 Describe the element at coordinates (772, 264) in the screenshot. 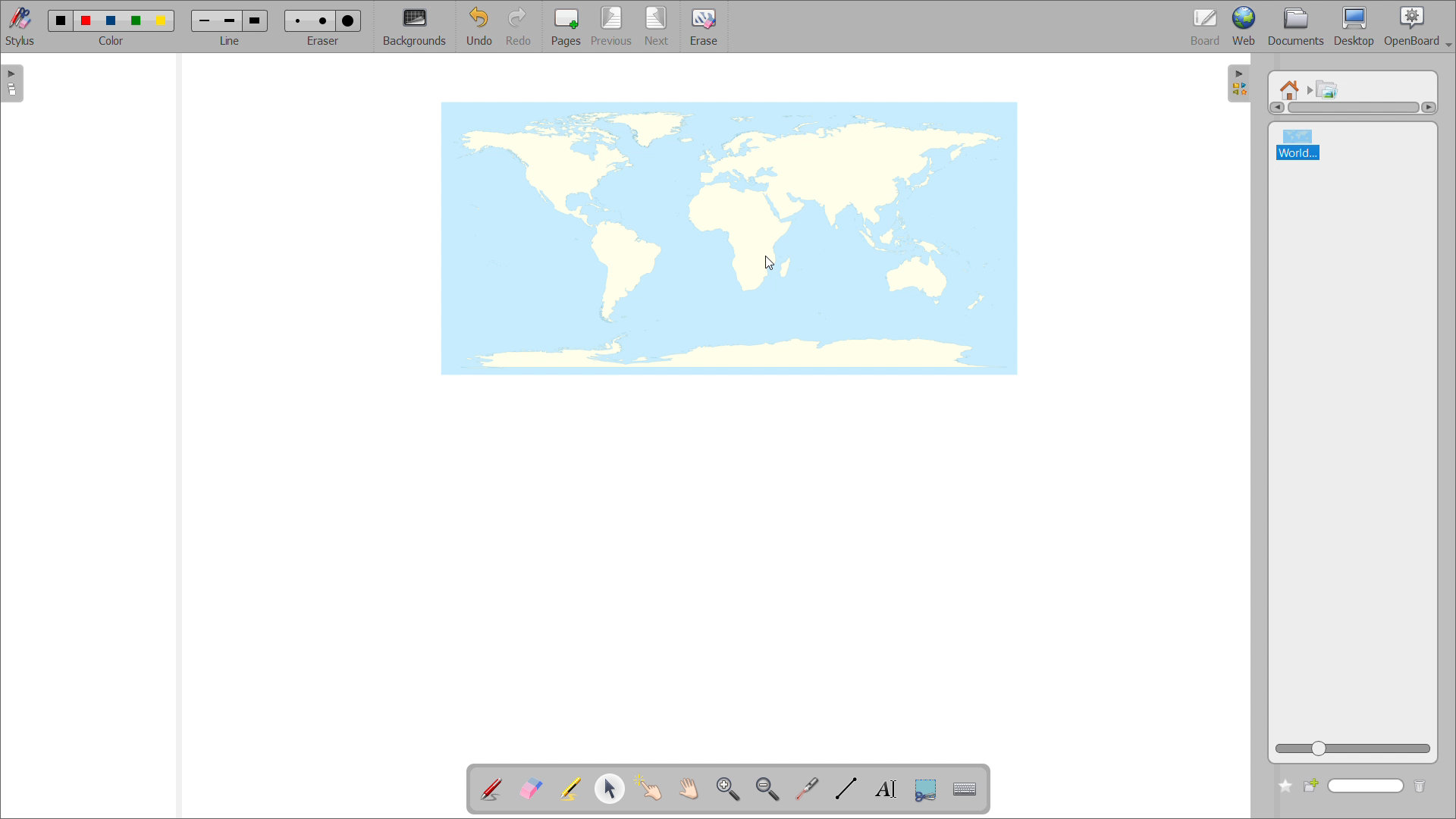

I see `cursor` at that location.